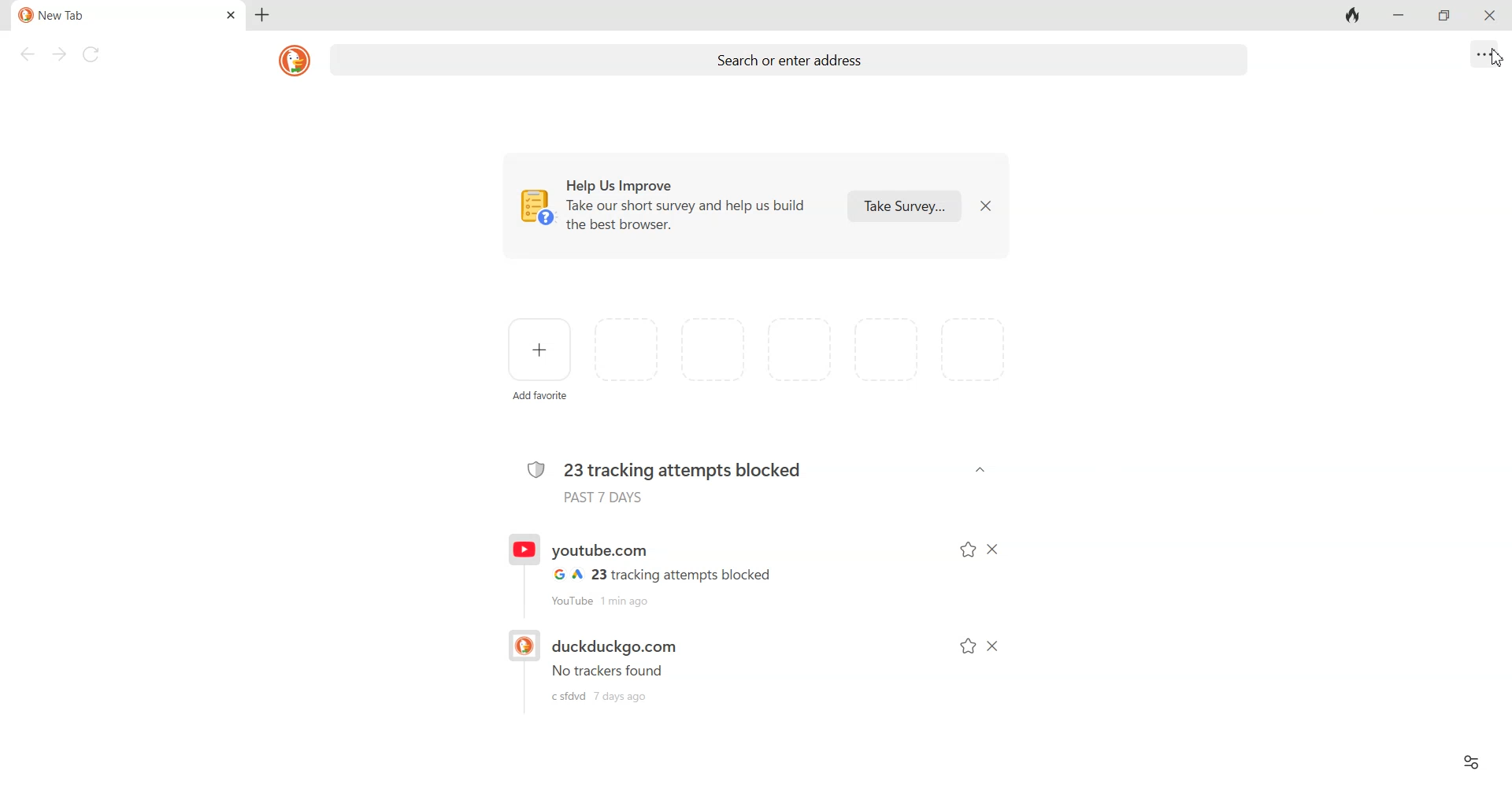  What do you see at coordinates (296, 60) in the screenshot?
I see `DuckDuckGo logo` at bounding box center [296, 60].